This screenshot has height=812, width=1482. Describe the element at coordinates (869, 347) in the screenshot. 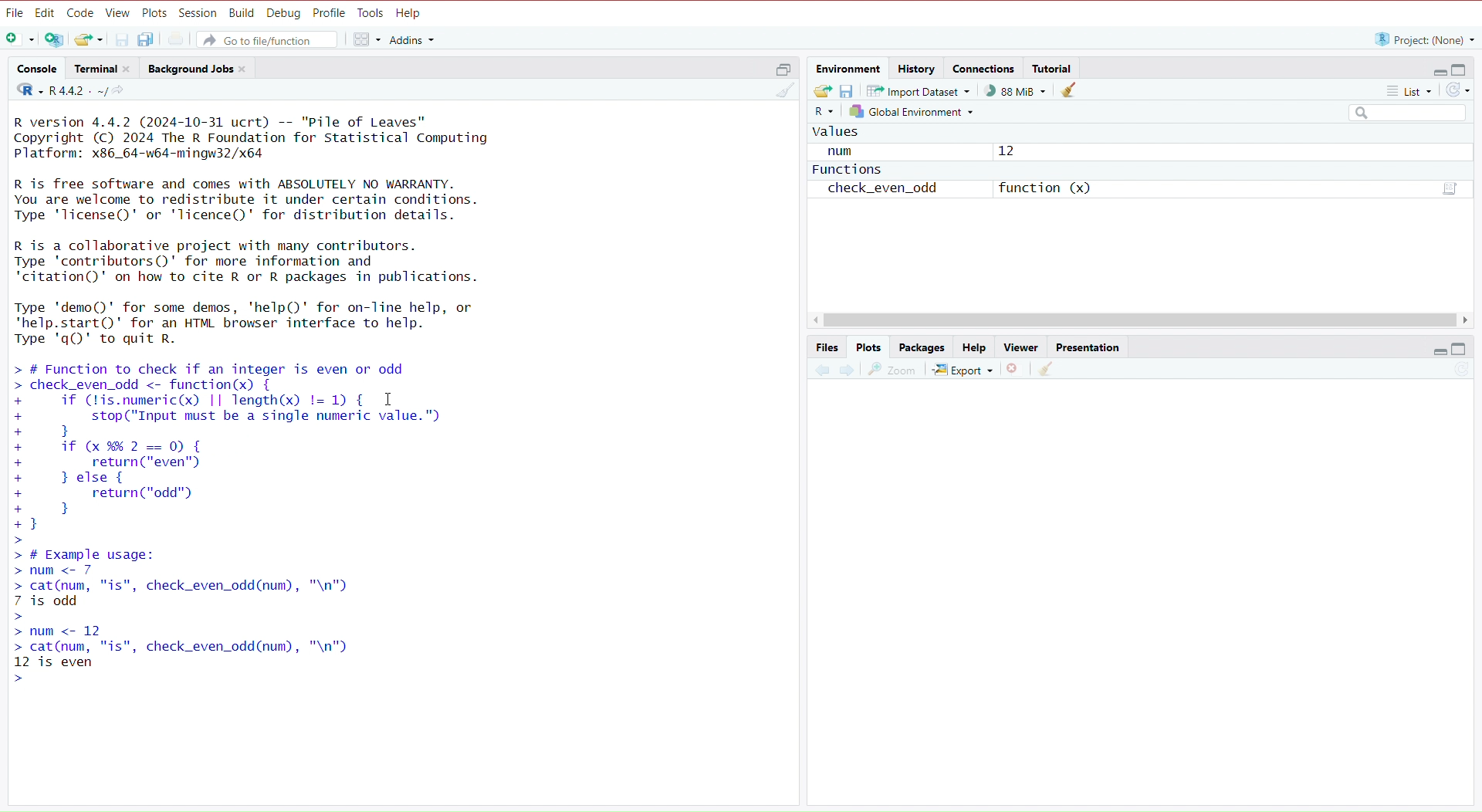

I see `plots` at that location.